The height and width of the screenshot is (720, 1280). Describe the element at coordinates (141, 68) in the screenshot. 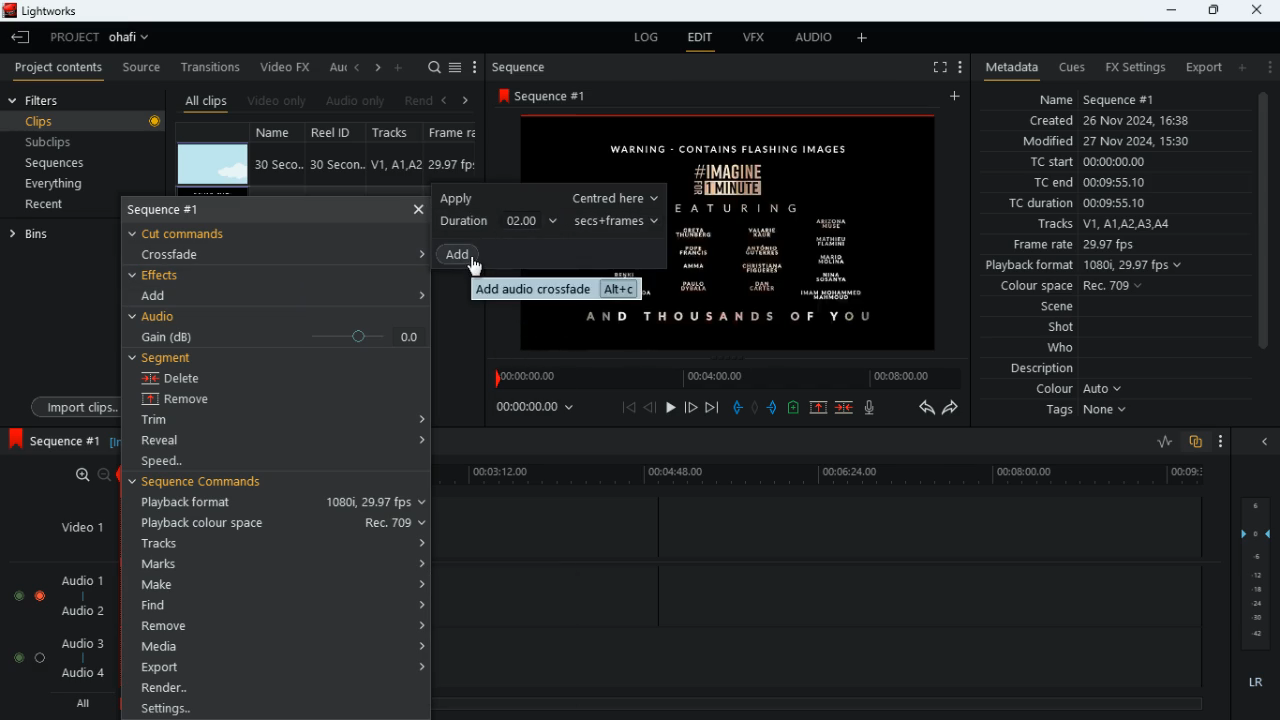

I see `source` at that location.